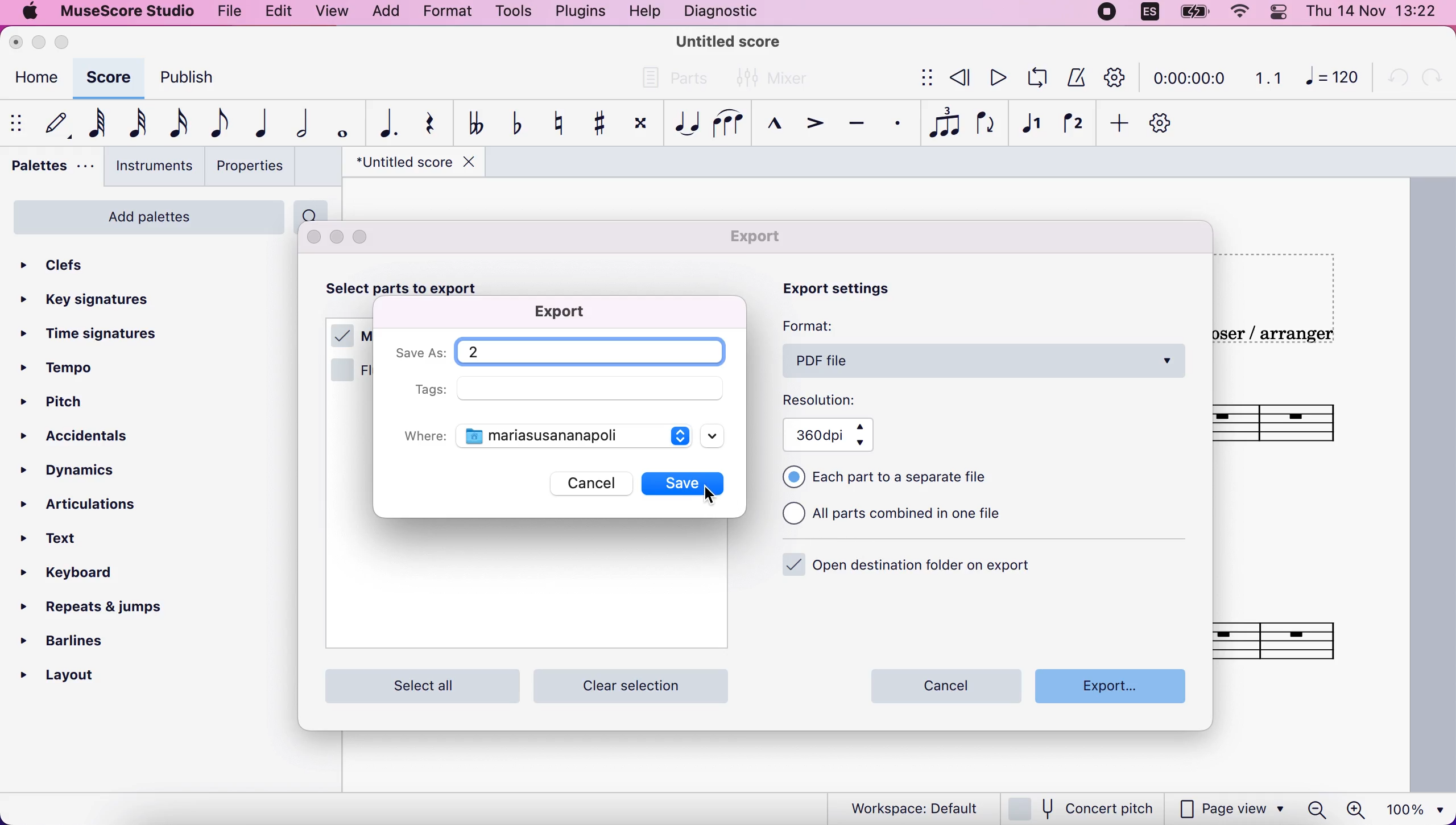  Describe the element at coordinates (428, 125) in the screenshot. I see `rest` at that location.